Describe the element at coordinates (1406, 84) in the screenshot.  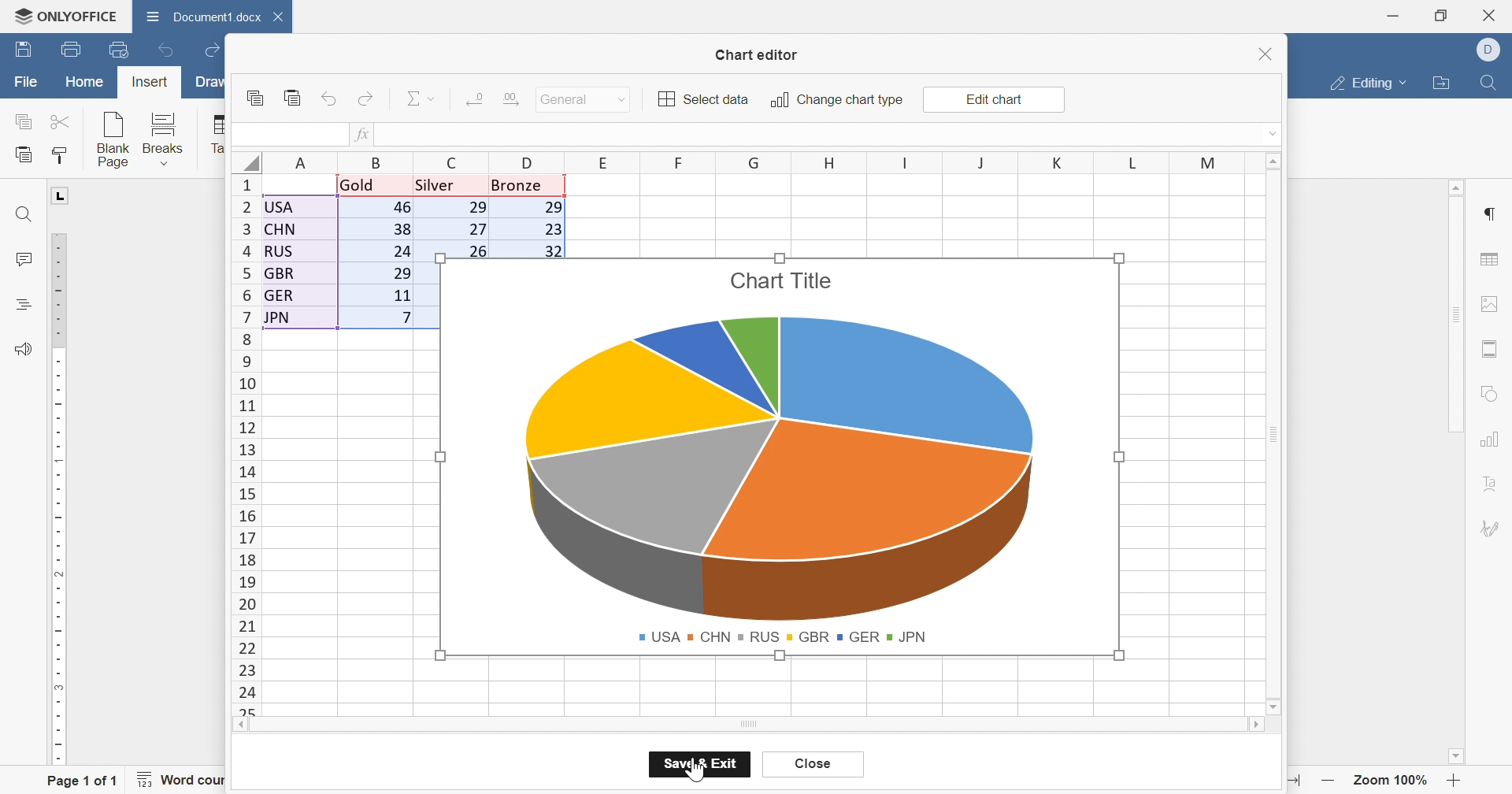
I see `Drop Down` at that location.